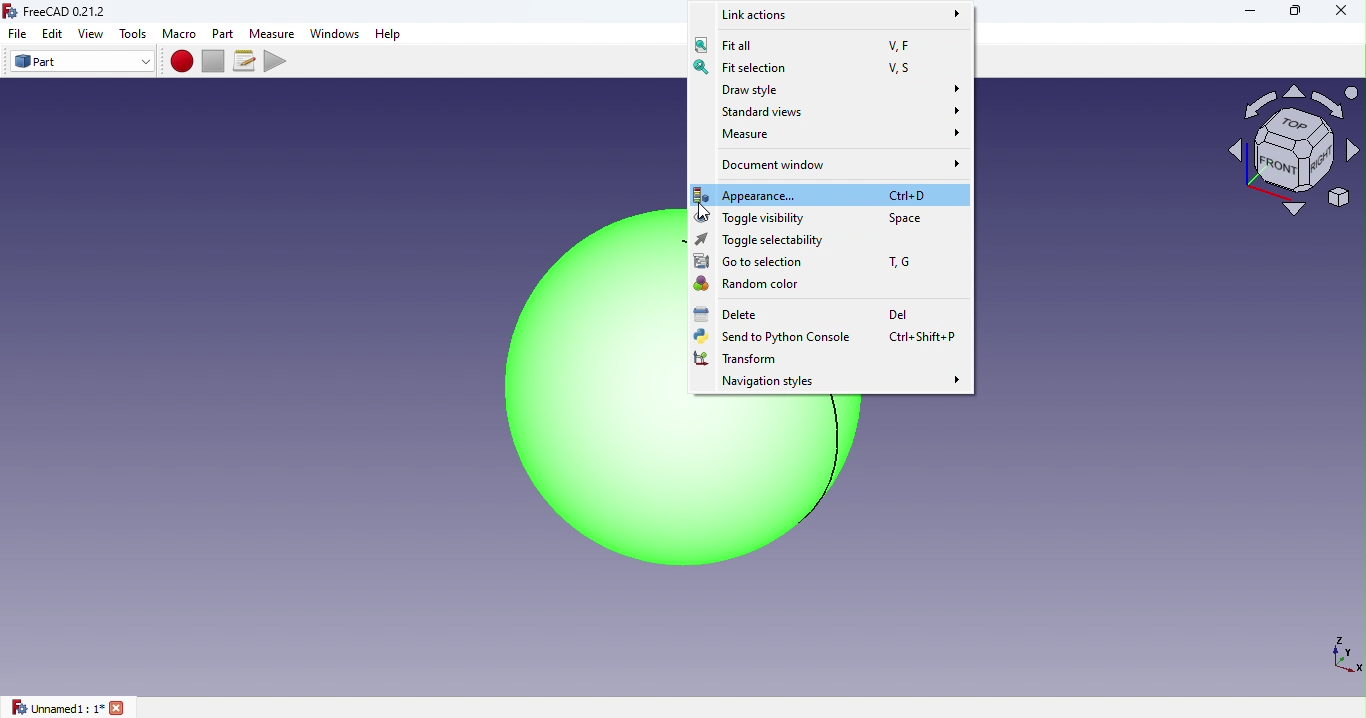  I want to click on Close, so click(1333, 14).